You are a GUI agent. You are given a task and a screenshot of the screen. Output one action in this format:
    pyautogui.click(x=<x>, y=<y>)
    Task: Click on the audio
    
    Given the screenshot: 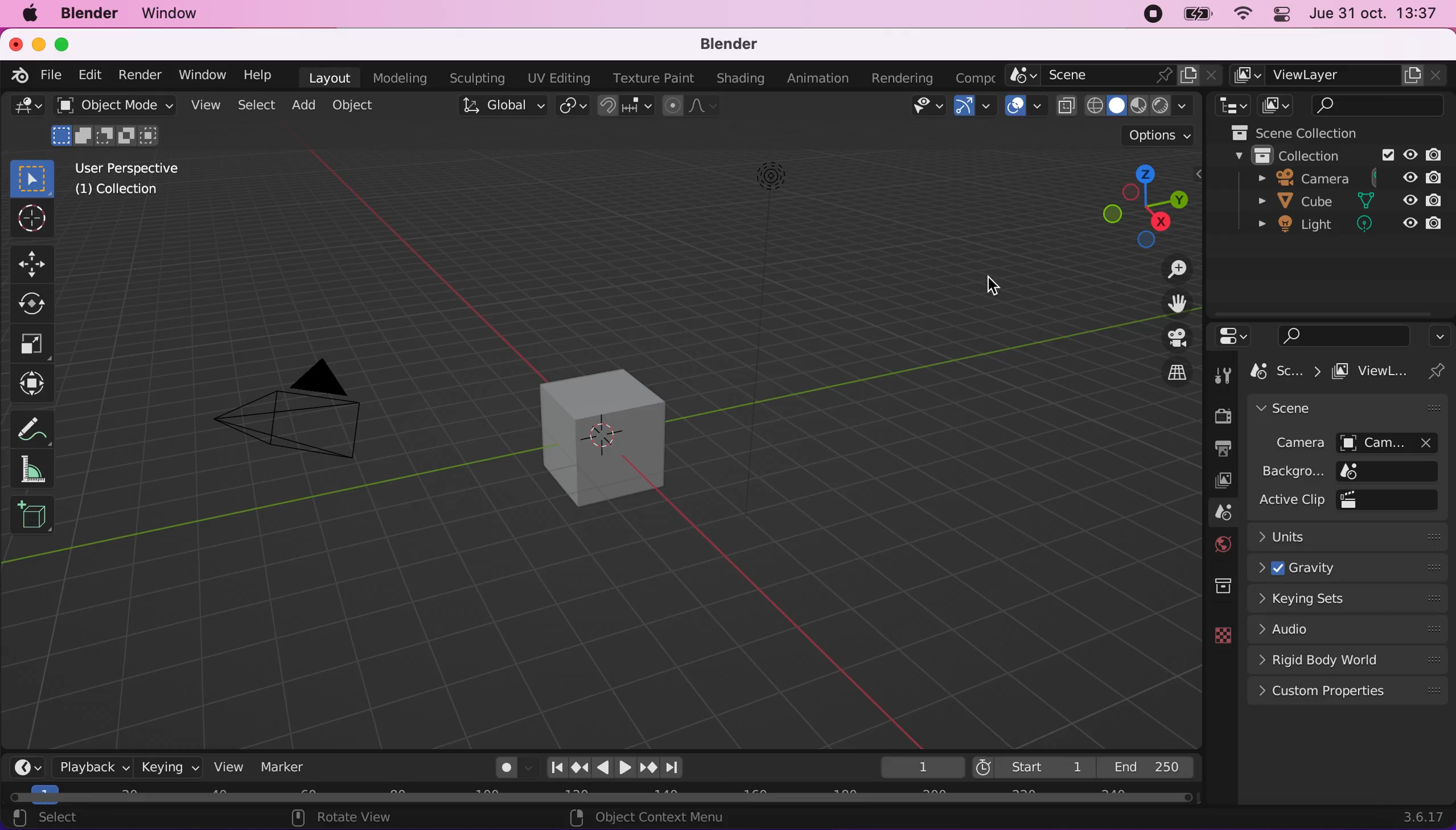 What is the action you would take?
    pyautogui.click(x=1347, y=628)
    